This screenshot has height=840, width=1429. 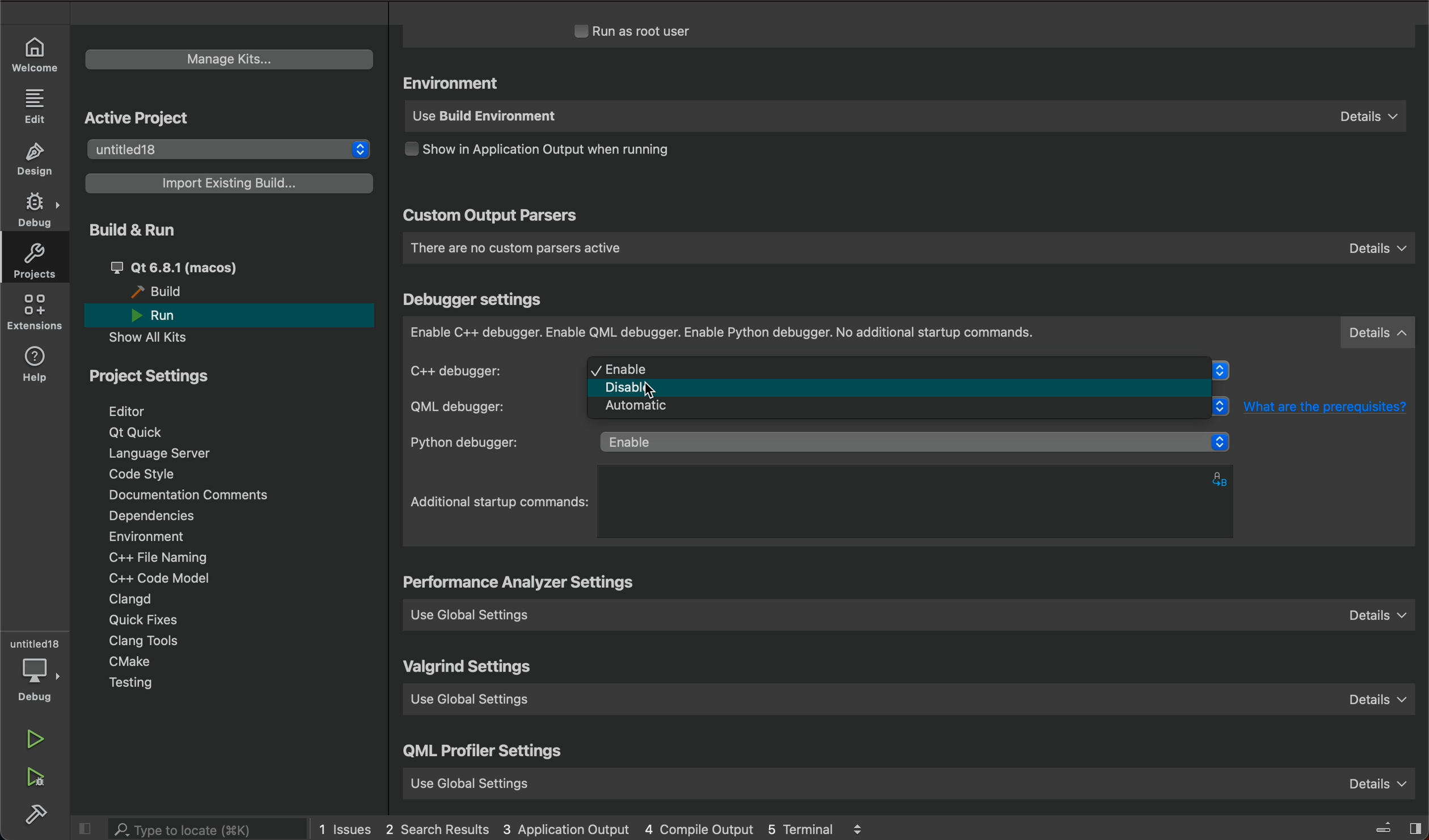 I want to click on run debug, so click(x=38, y=778).